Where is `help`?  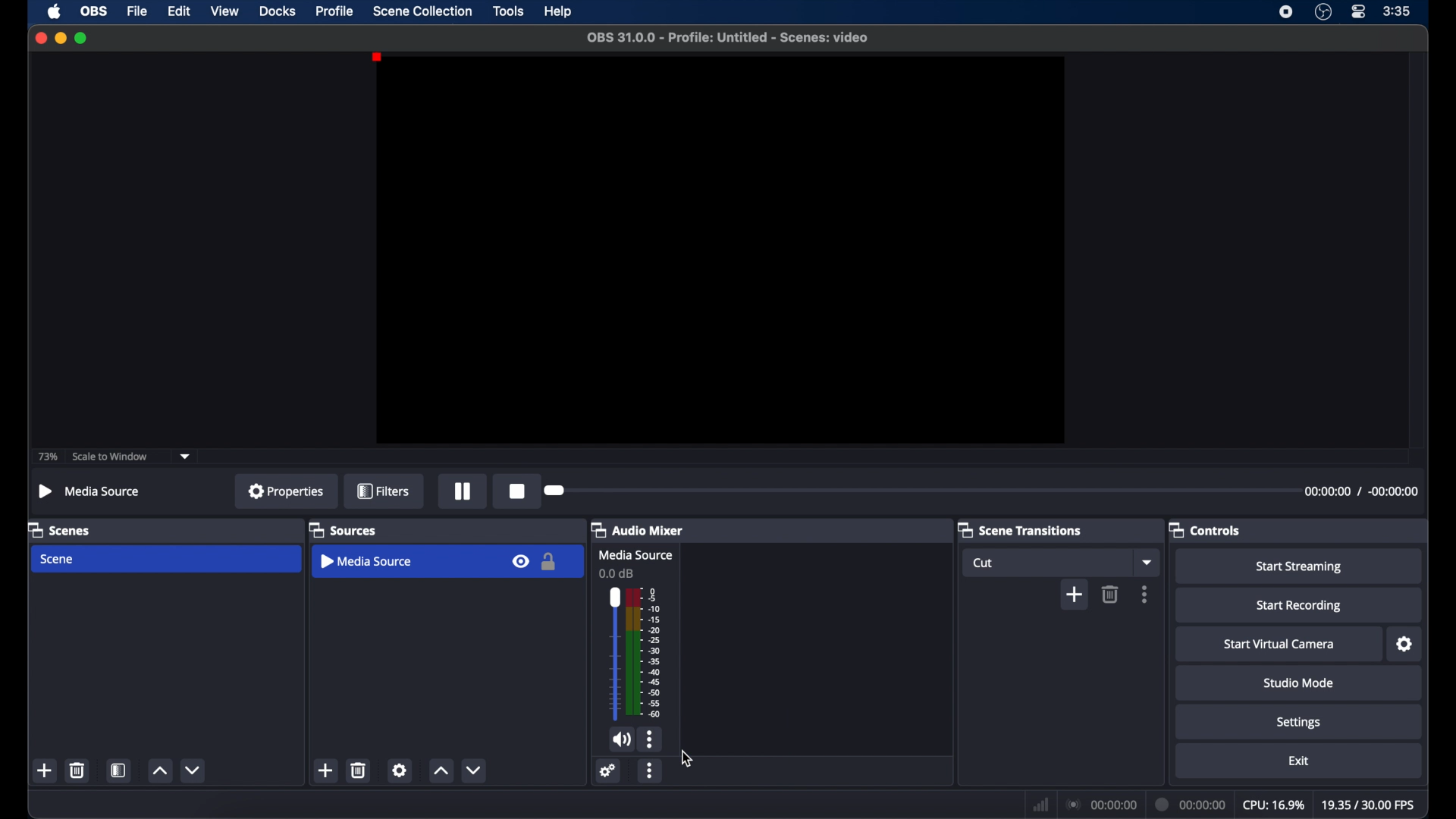 help is located at coordinates (560, 11).